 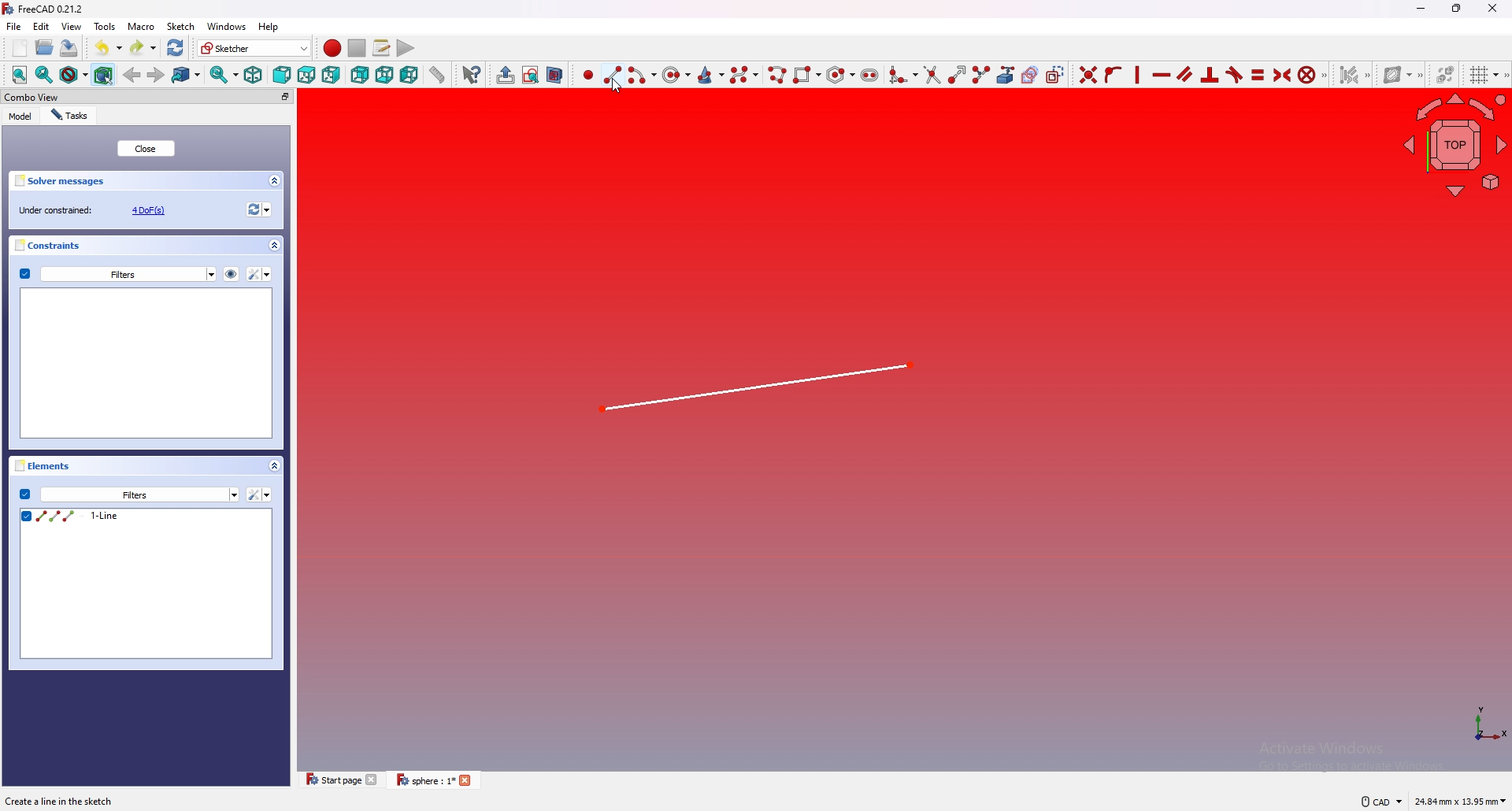 I want to click on T-line, so click(x=147, y=585).